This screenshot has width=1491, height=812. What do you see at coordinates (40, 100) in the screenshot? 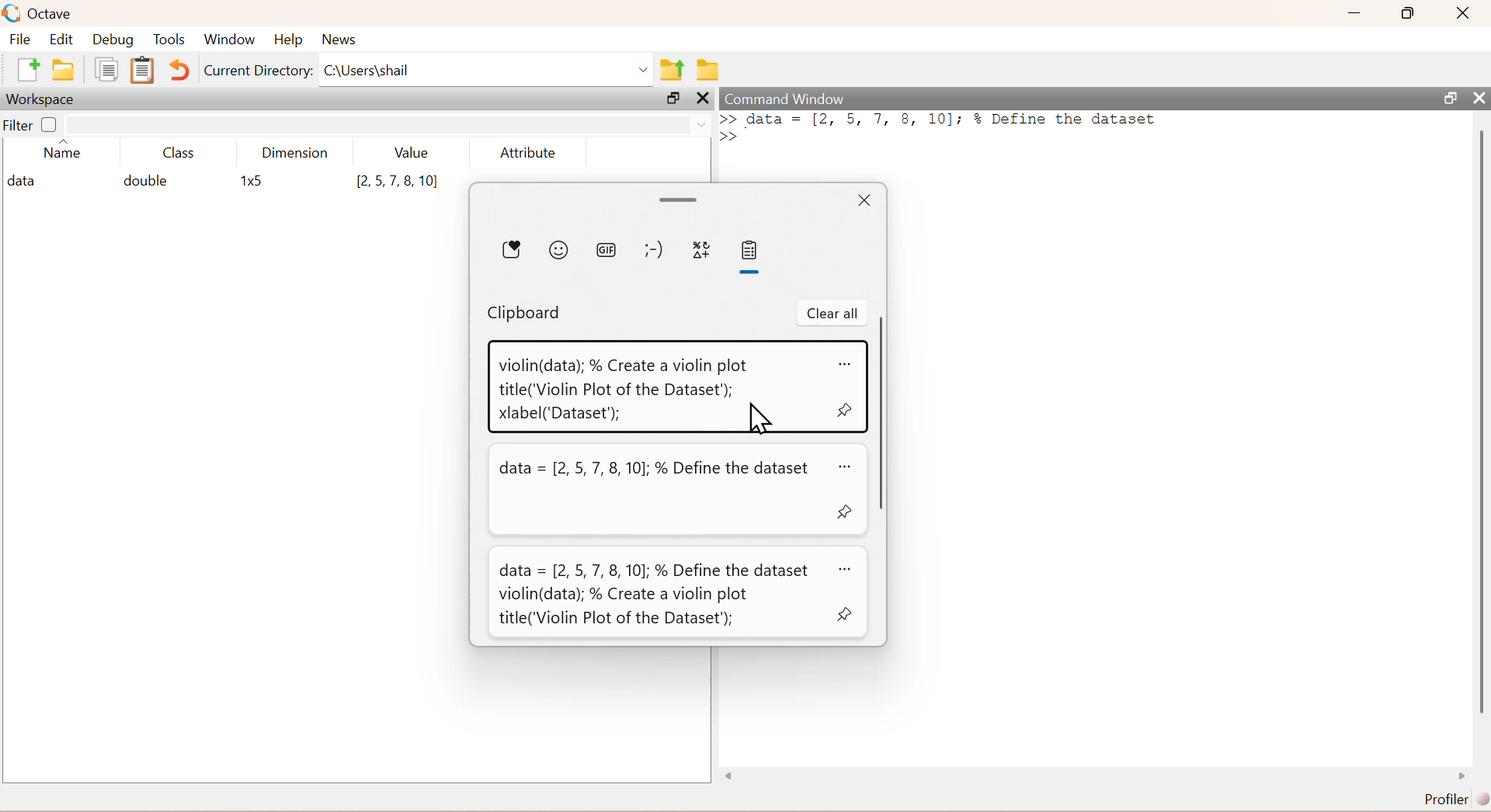
I see `Workspace` at bounding box center [40, 100].